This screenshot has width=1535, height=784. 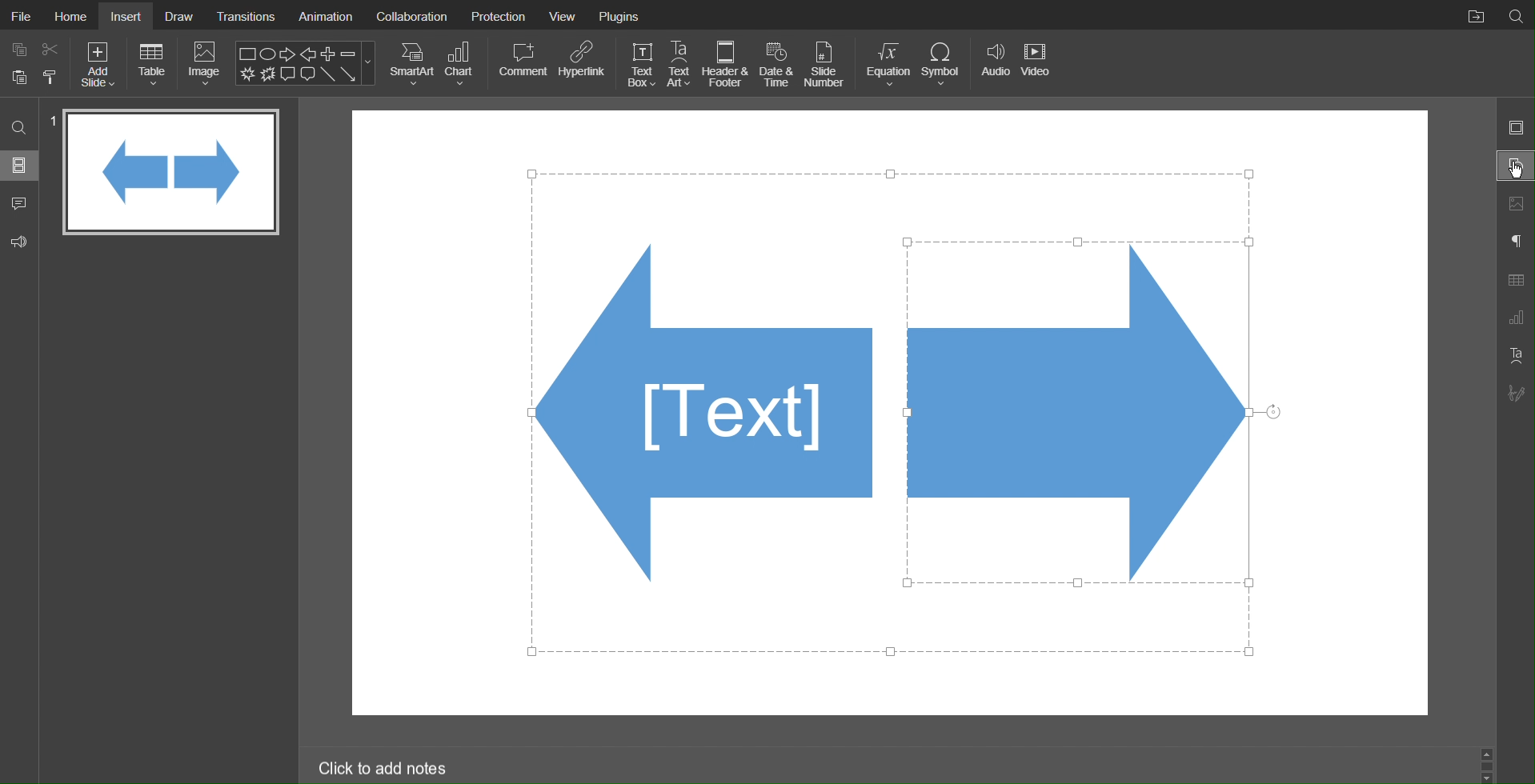 I want to click on Table Settings, so click(x=1516, y=279).